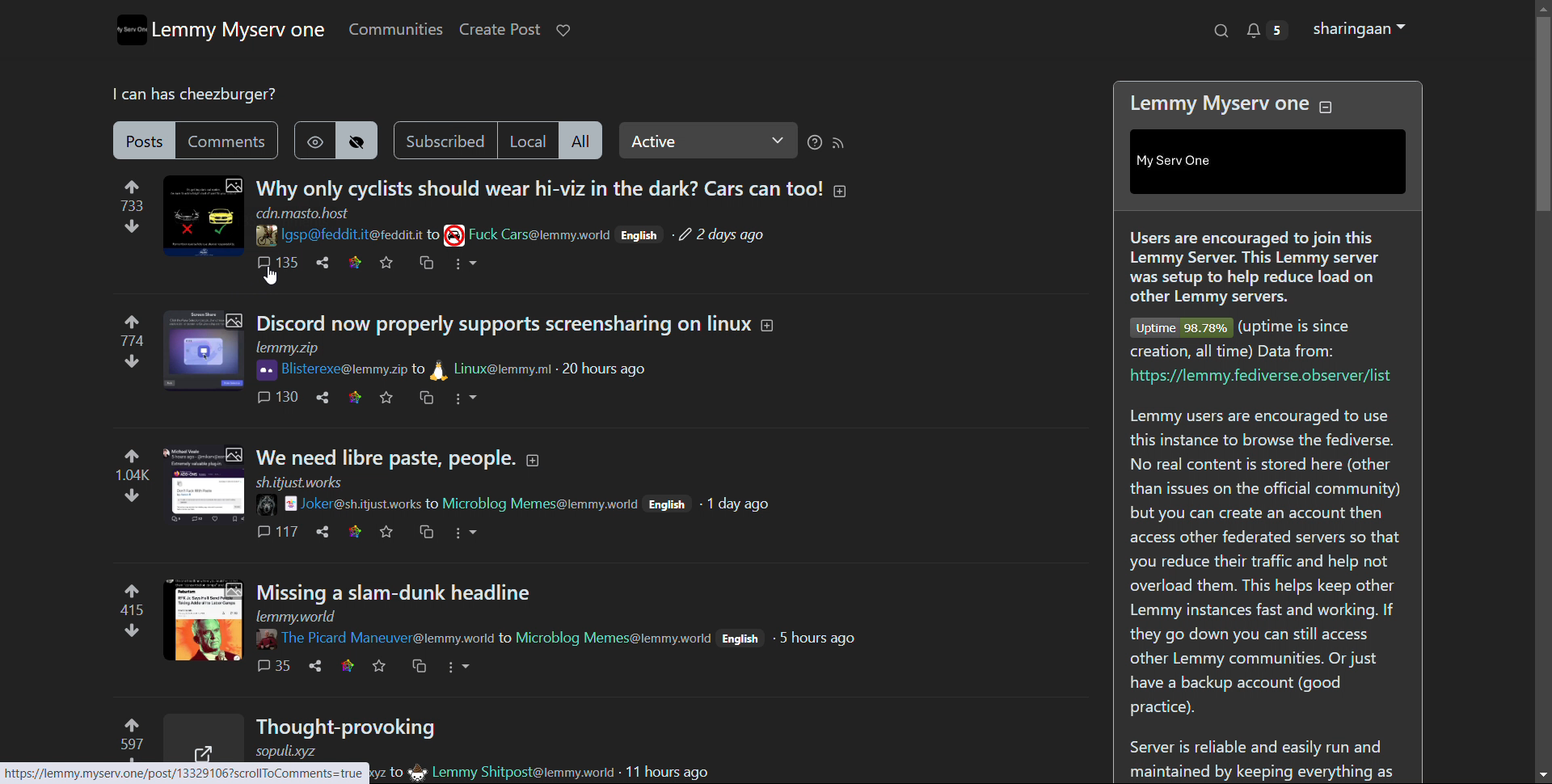 The image size is (1552, 784). What do you see at coordinates (269, 276) in the screenshot?
I see `Cursor` at bounding box center [269, 276].